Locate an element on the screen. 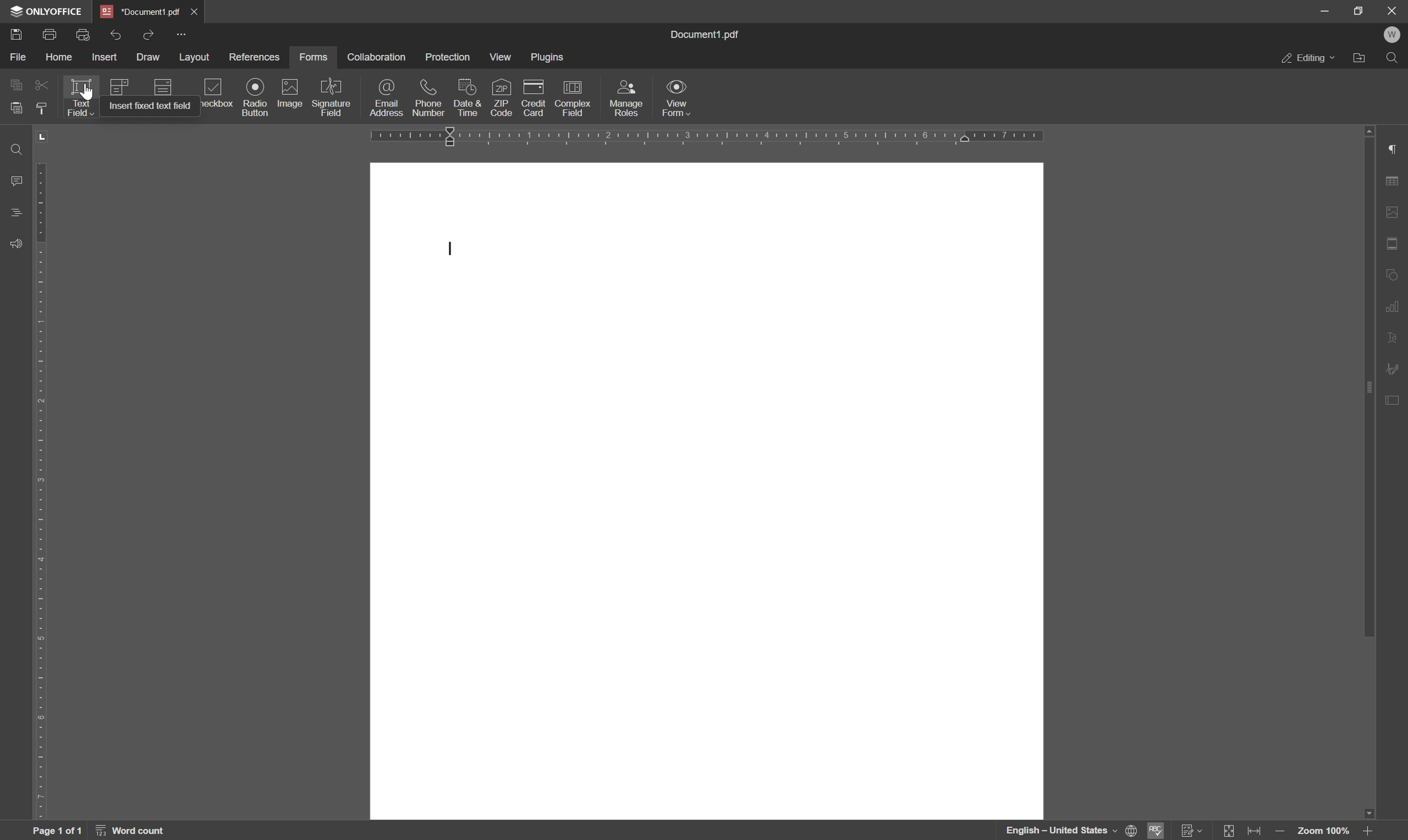  redo is located at coordinates (151, 35).